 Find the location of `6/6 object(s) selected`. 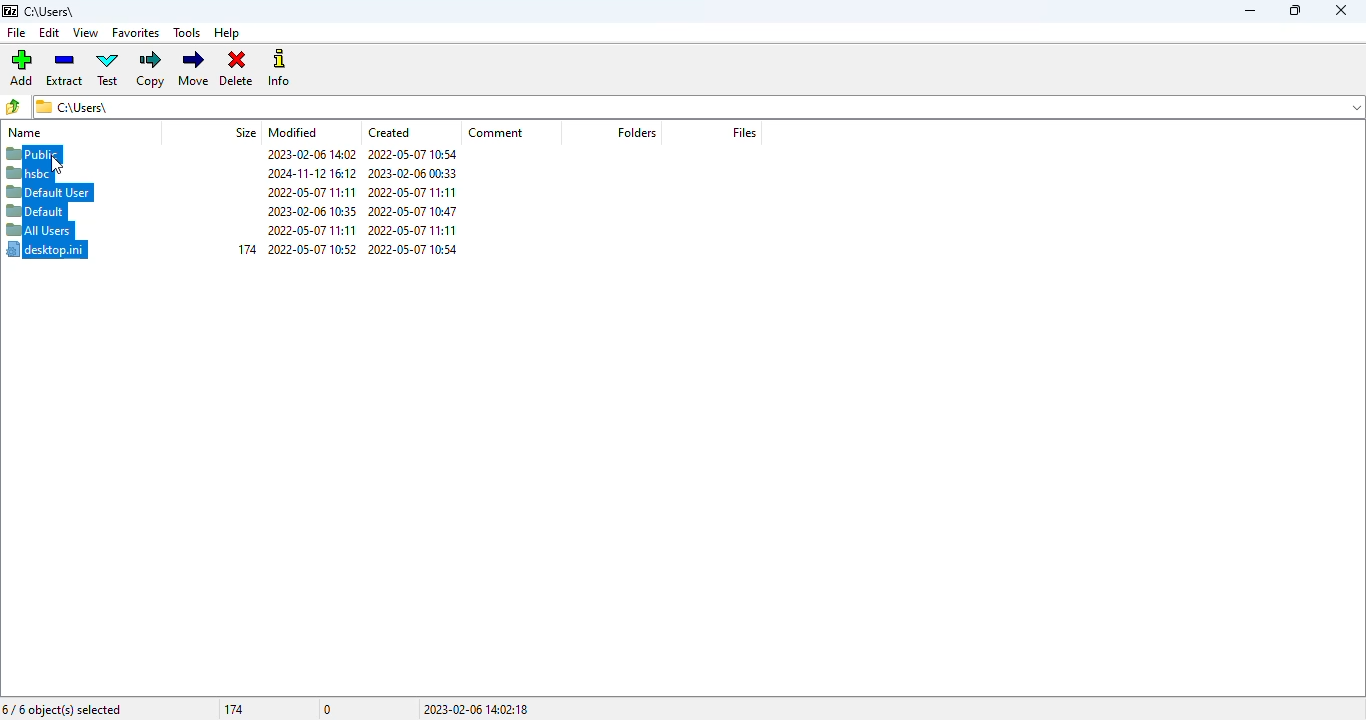

6/6 object(s) selected is located at coordinates (62, 710).